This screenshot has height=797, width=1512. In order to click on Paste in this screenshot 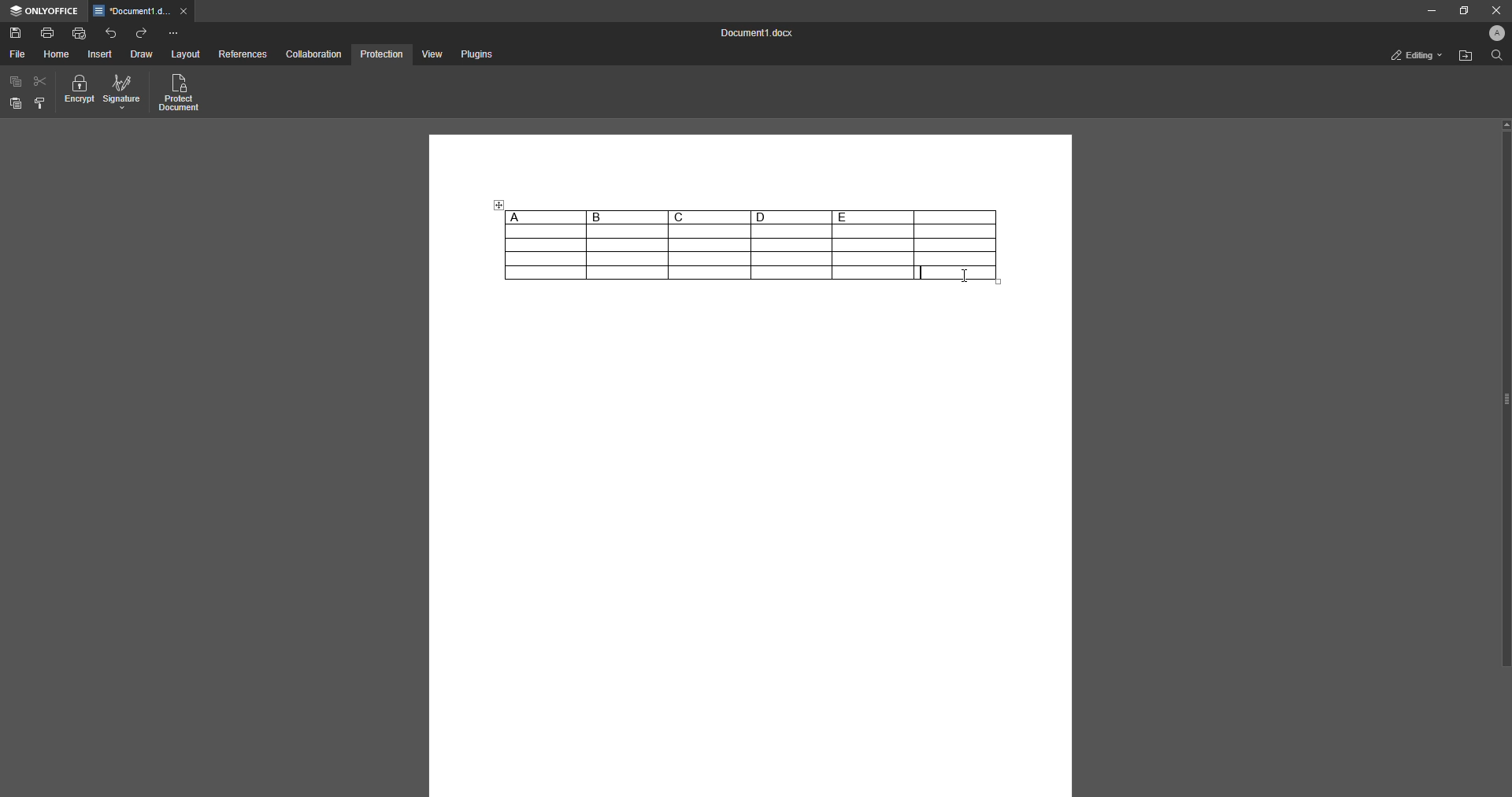, I will do `click(16, 104)`.